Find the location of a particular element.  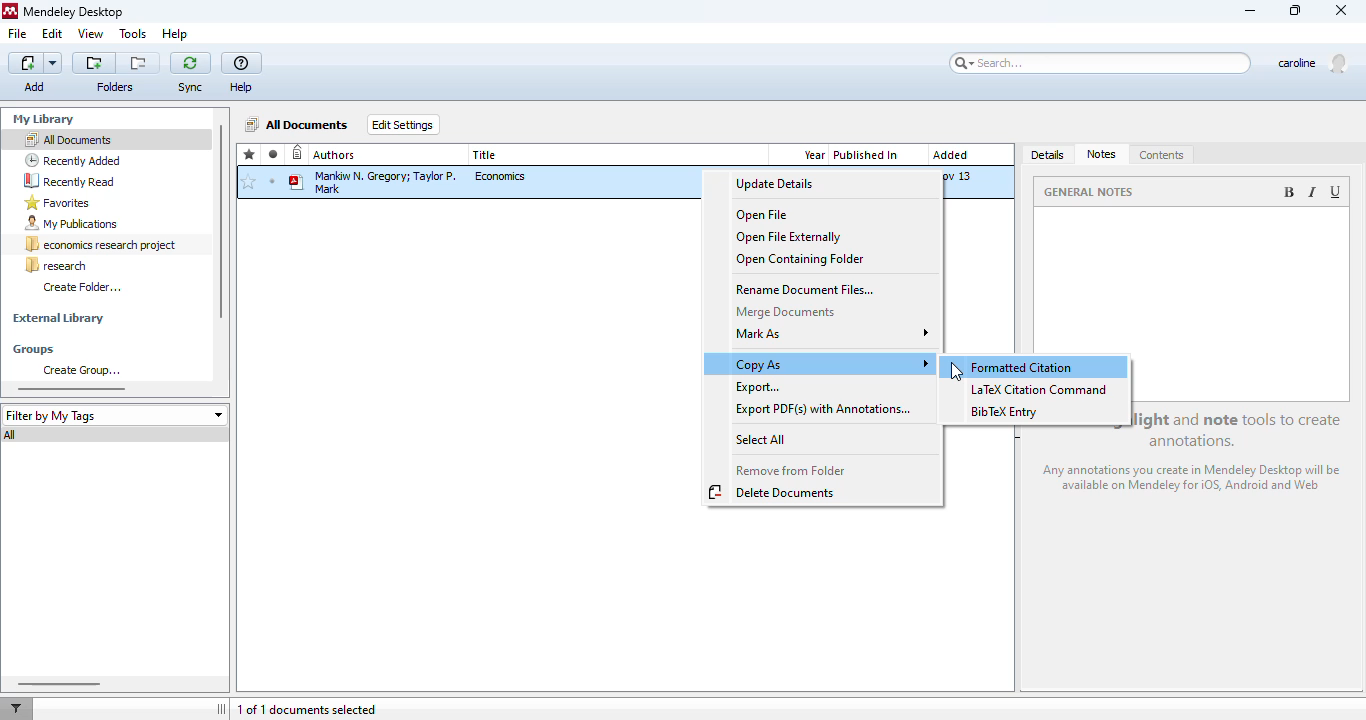

sync is located at coordinates (190, 62).